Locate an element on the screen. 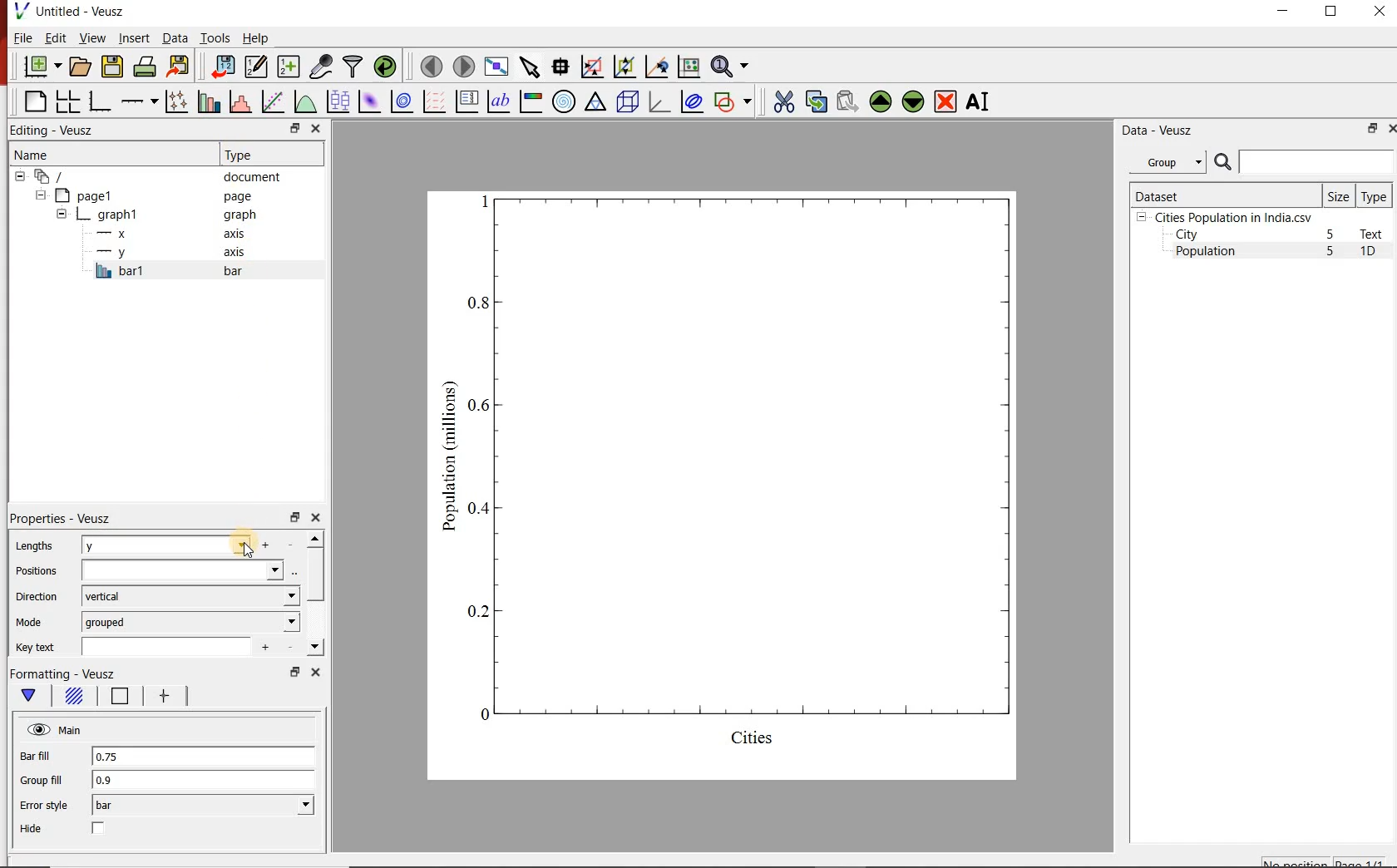  plot points with lines and errorbars is located at coordinates (174, 101).